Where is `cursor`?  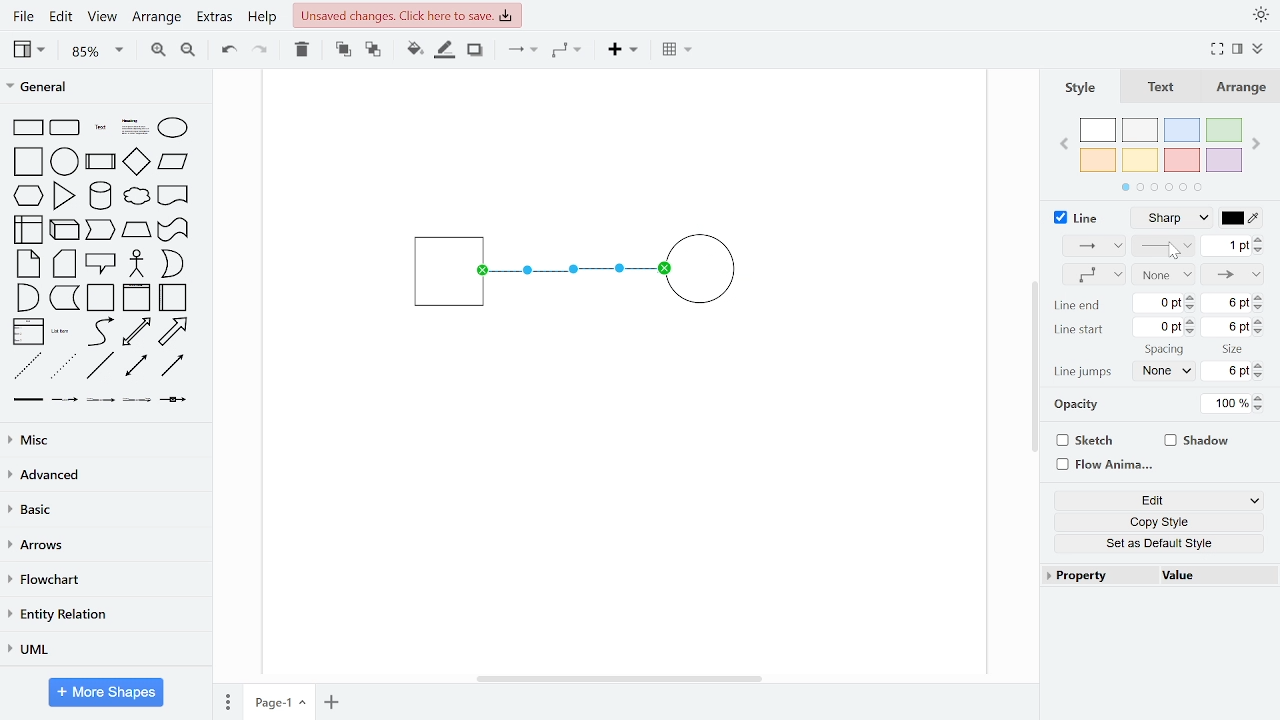 cursor is located at coordinates (1174, 254).